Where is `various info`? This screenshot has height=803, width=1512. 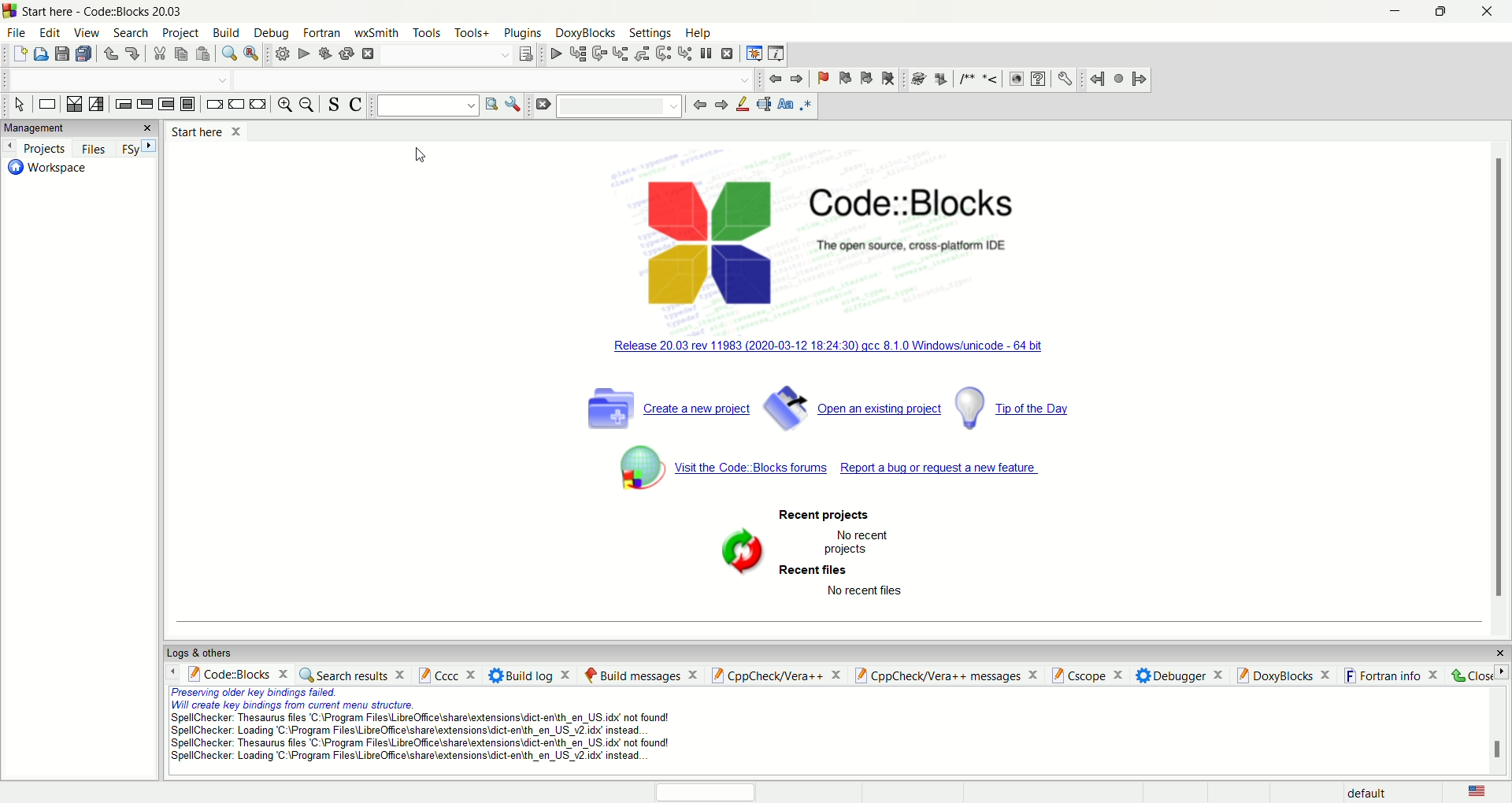 various info is located at coordinates (776, 54).